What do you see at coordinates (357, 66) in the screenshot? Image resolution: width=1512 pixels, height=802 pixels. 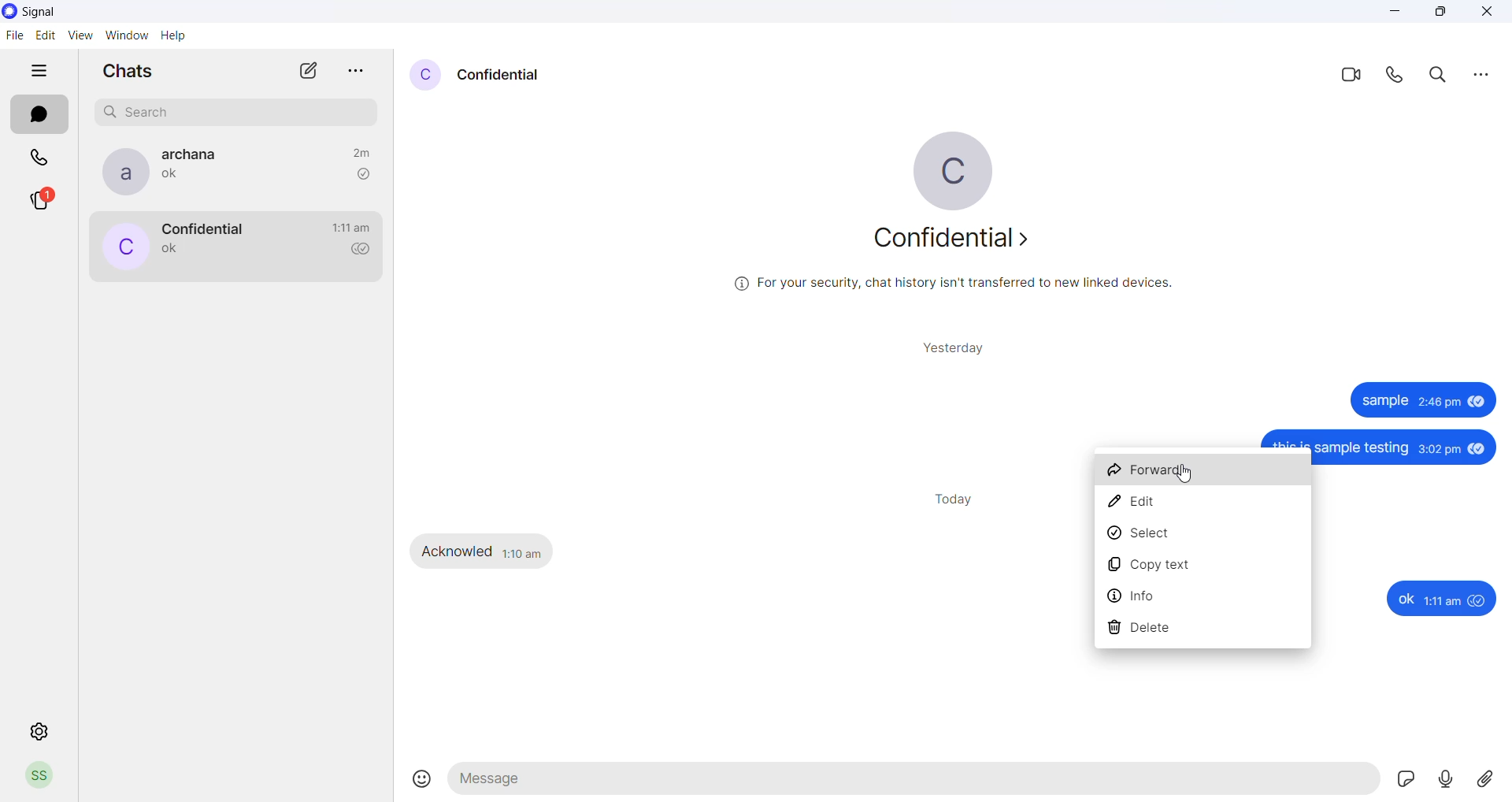 I see `more options` at bounding box center [357, 66].